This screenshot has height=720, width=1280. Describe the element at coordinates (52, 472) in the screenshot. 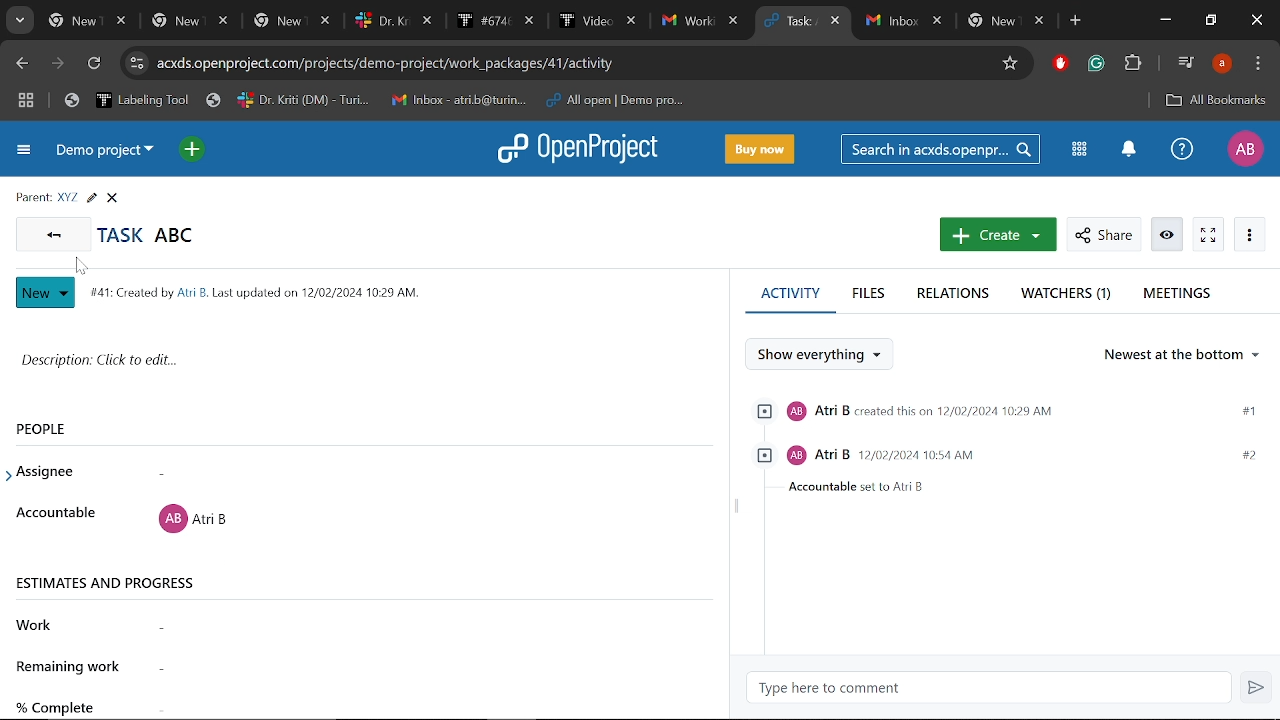

I see `Assignee` at that location.